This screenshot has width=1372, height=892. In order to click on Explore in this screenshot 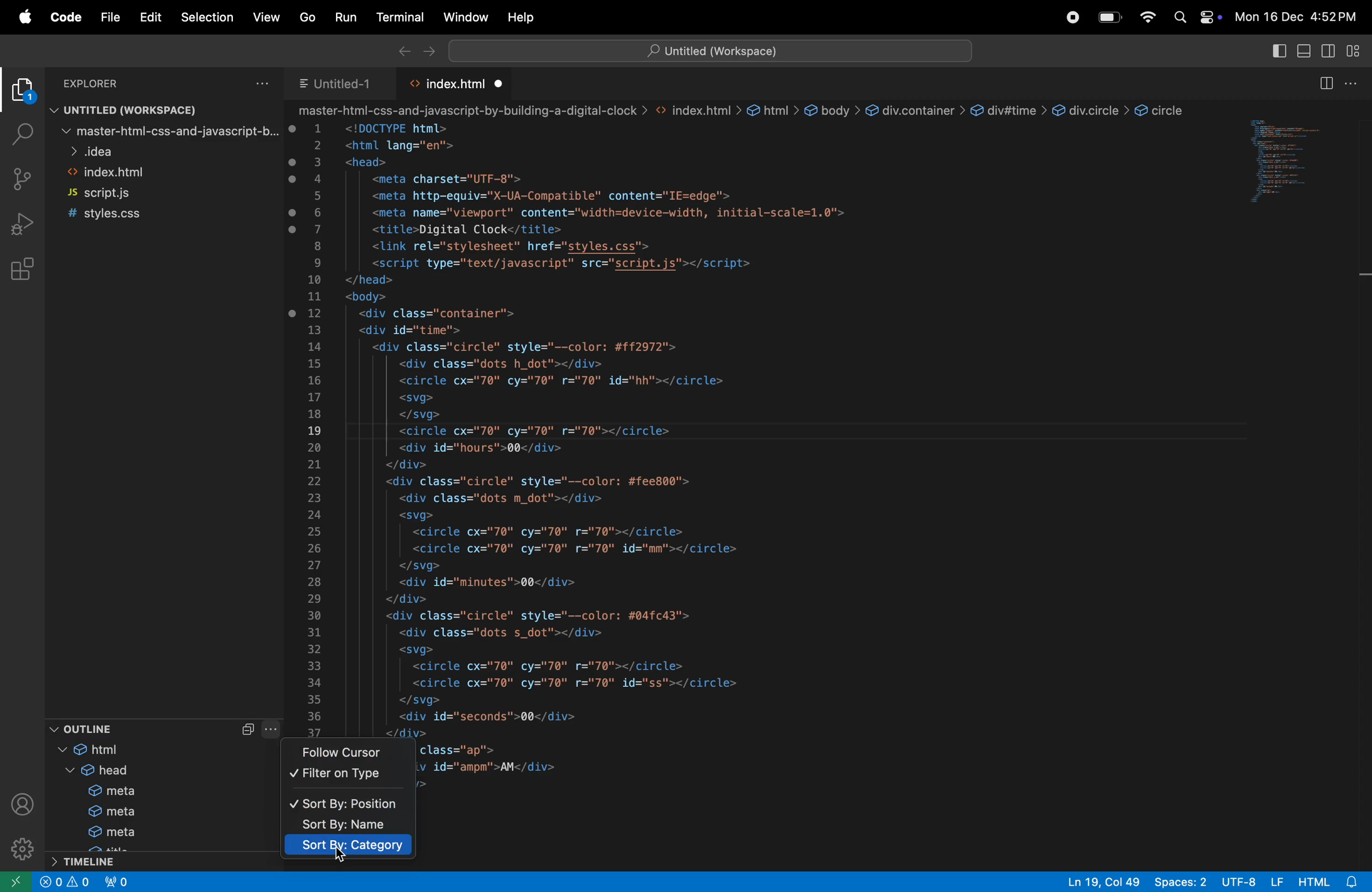, I will do `click(105, 84)`.